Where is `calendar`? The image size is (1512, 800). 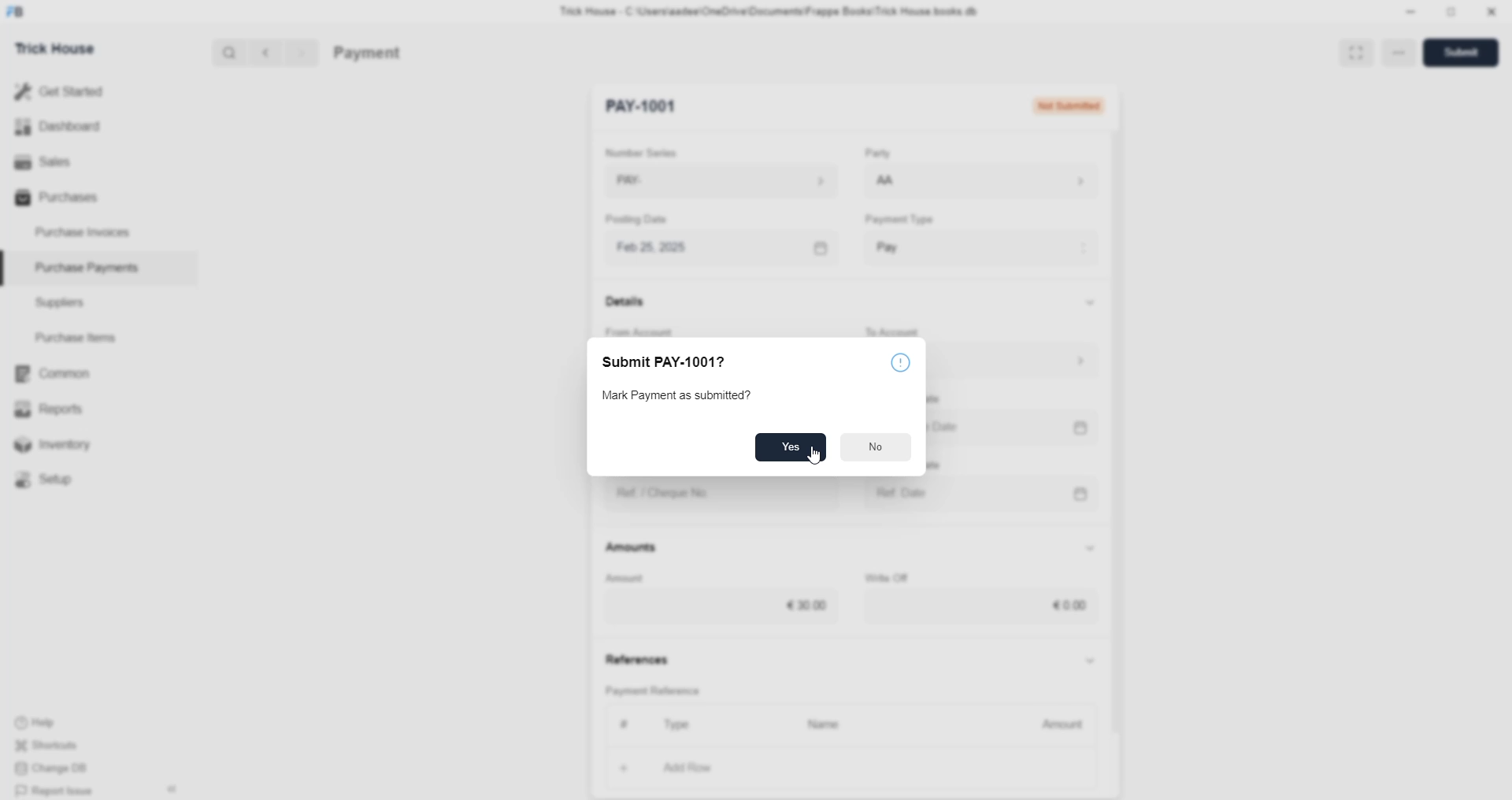 calendar is located at coordinates (821, 245).